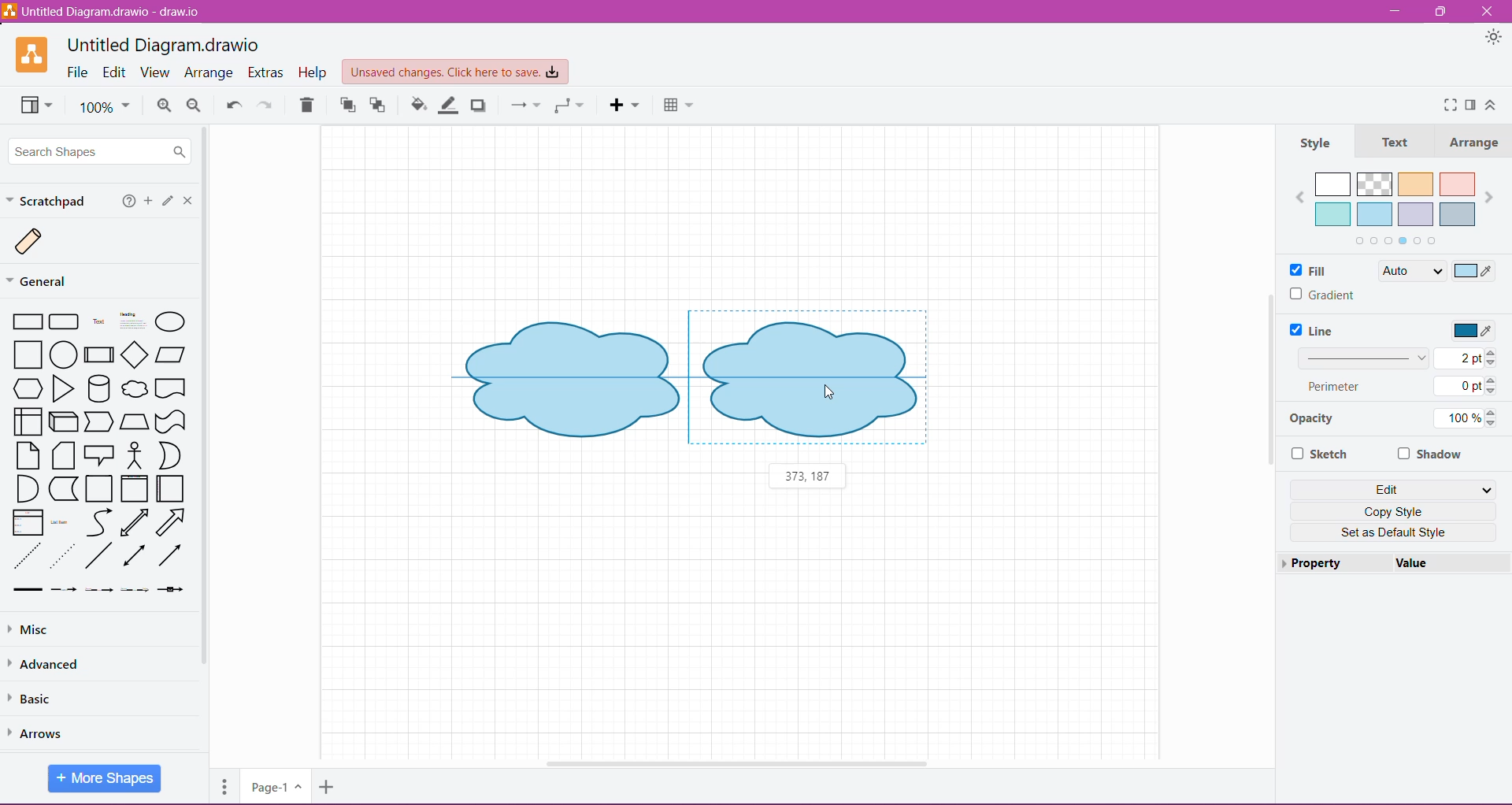  Describe the element at coordinates (1314, 331) in the screenshot. I see `Line ` at that location.